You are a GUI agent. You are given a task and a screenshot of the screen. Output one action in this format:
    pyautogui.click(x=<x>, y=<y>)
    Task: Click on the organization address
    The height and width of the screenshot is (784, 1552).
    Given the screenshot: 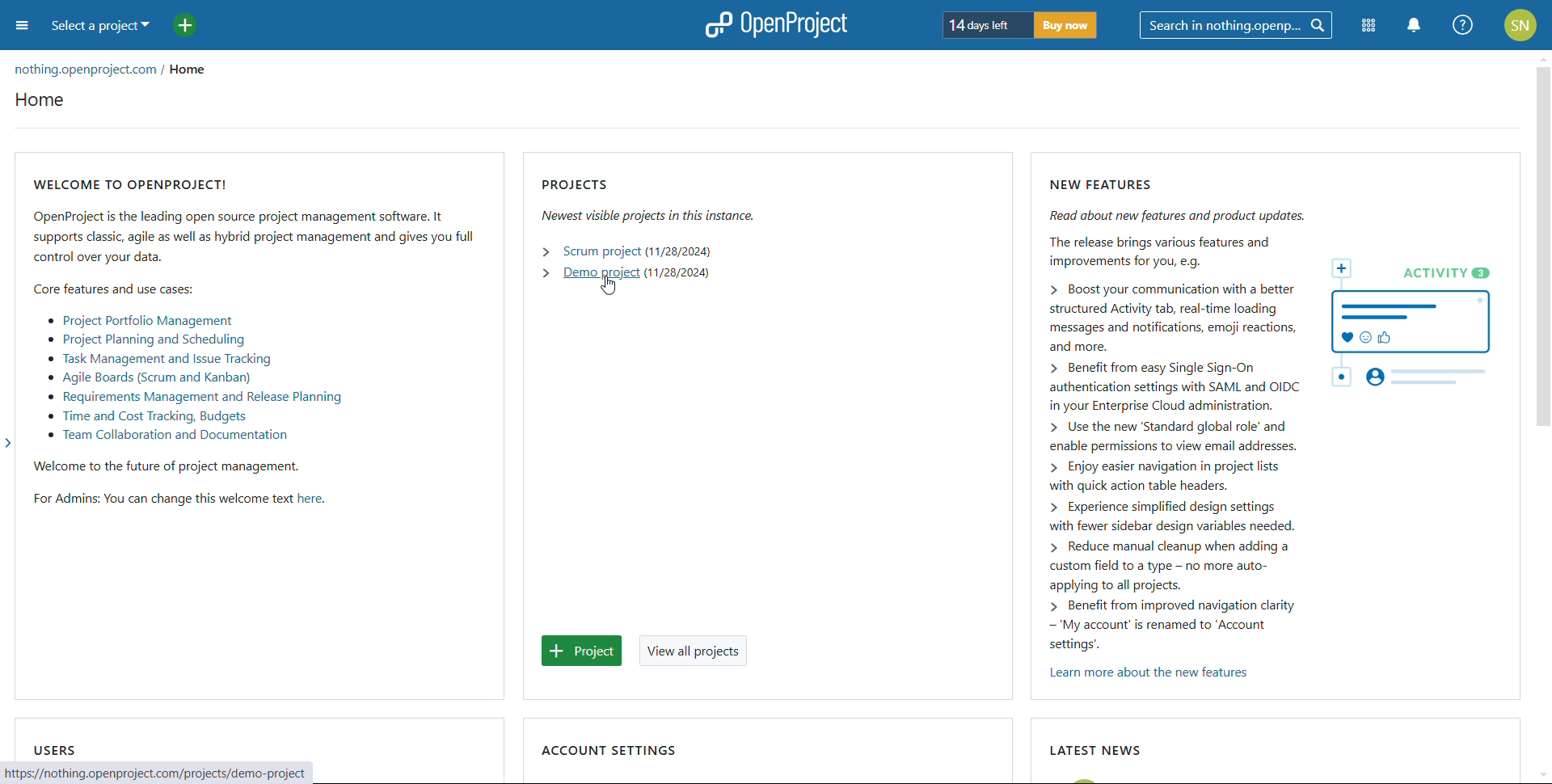 What is the action you would take?
    pyautogui.click(x=83, y=70)
    